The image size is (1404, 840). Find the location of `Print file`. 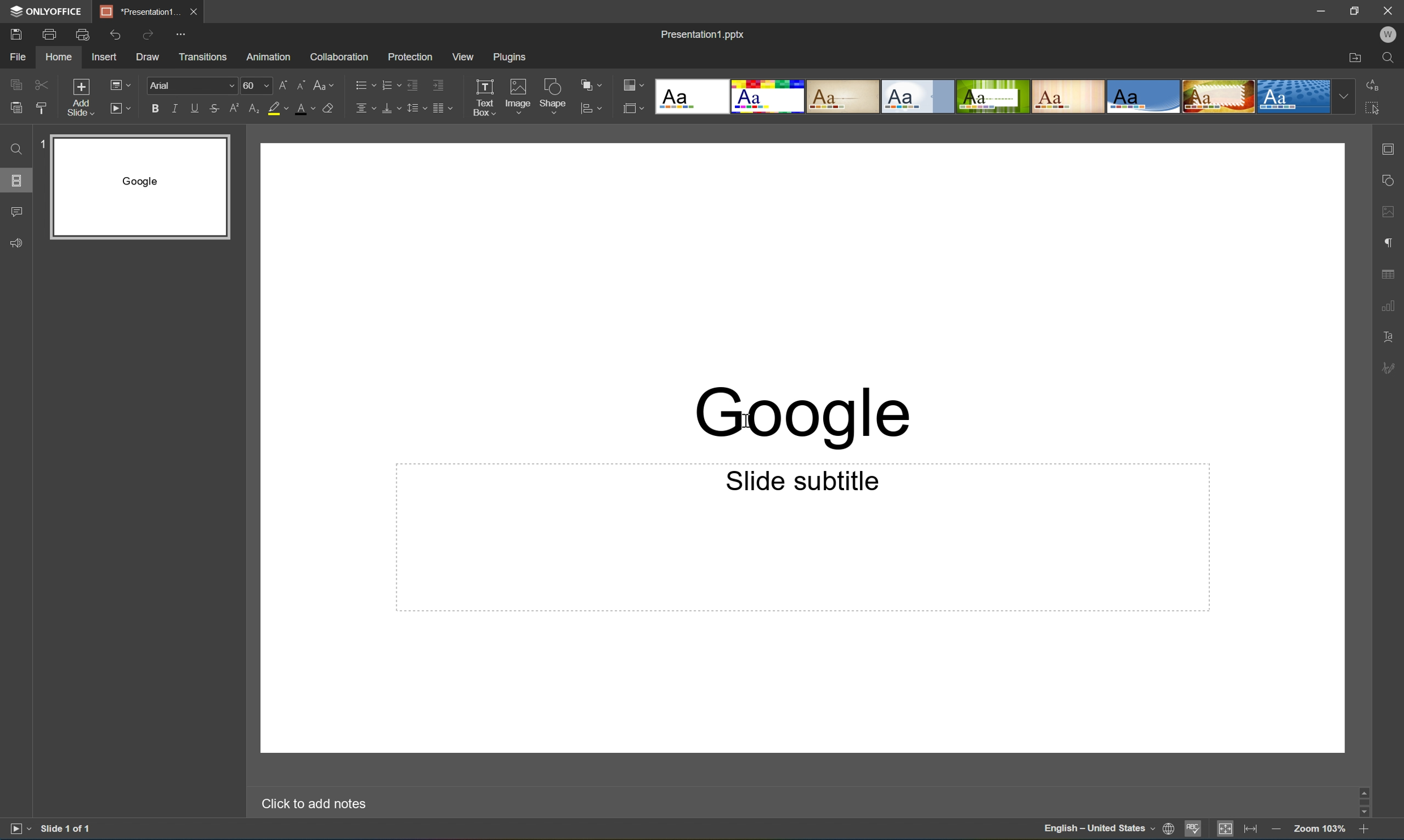

Print file is located at coordinates (50, 36).